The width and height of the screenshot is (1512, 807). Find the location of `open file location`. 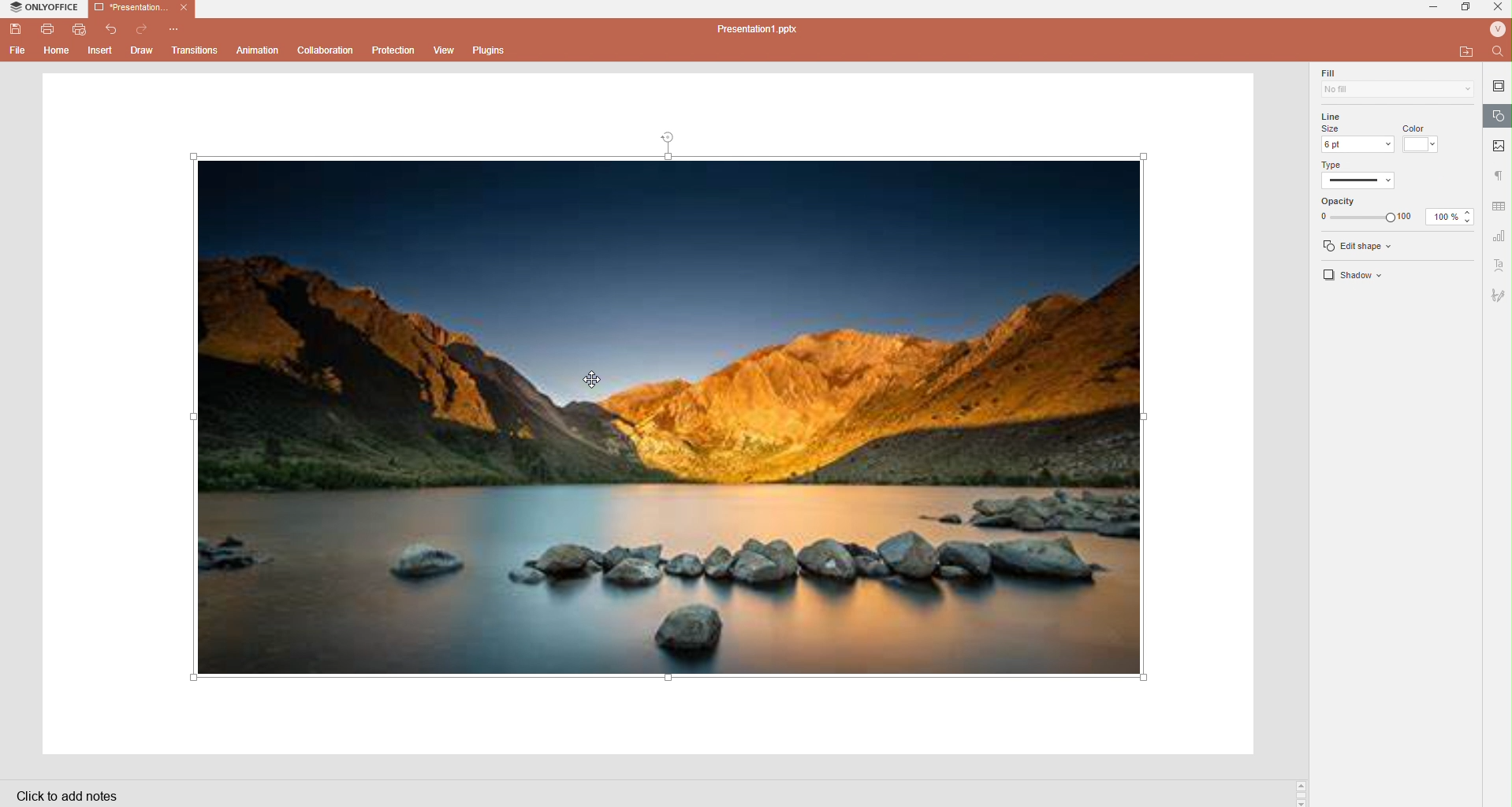

open file location is located at coordinates (1465, 51).